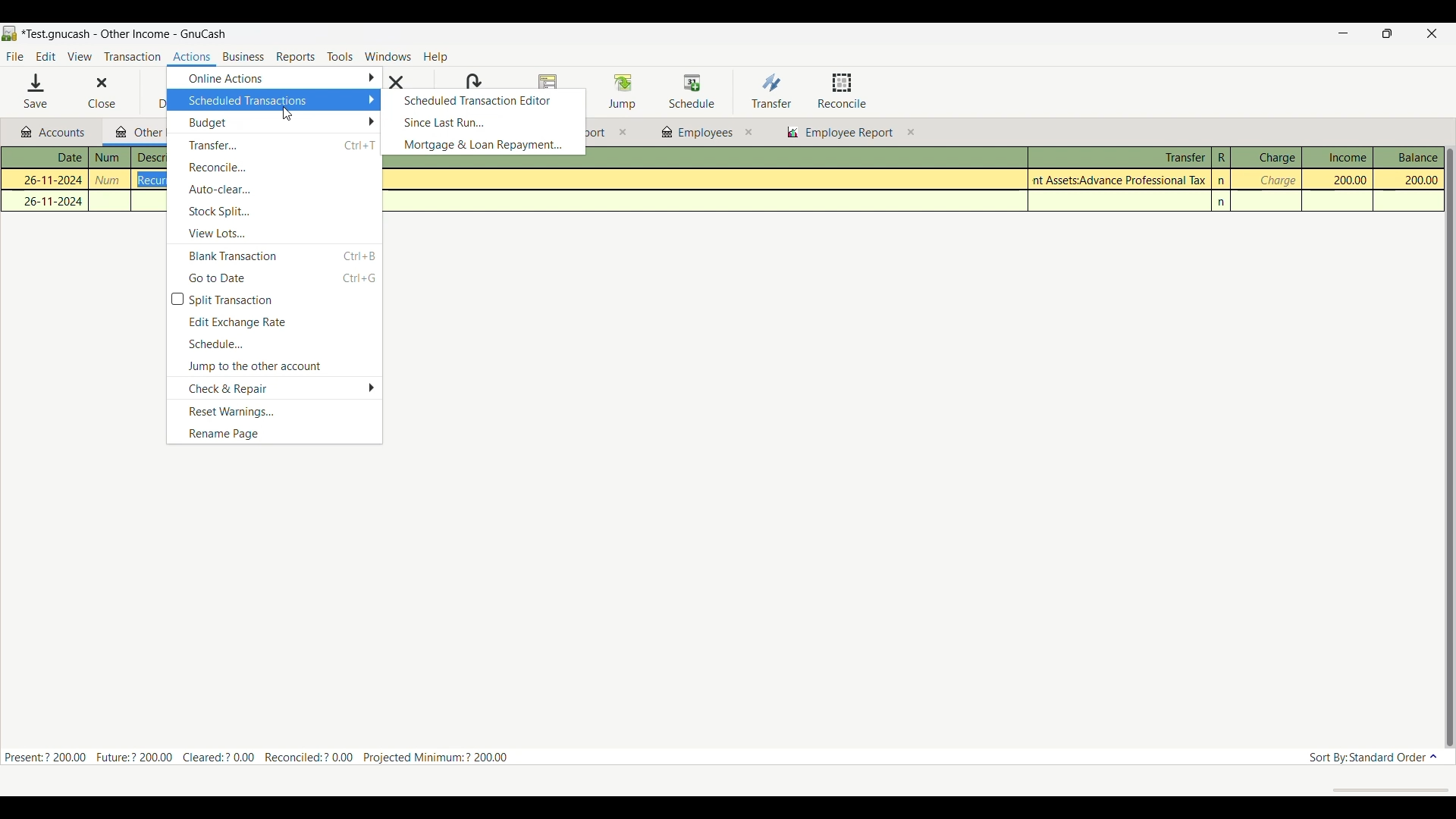 The image size is (1456, 819). I want to click on Balance column, so click(1409, 157).